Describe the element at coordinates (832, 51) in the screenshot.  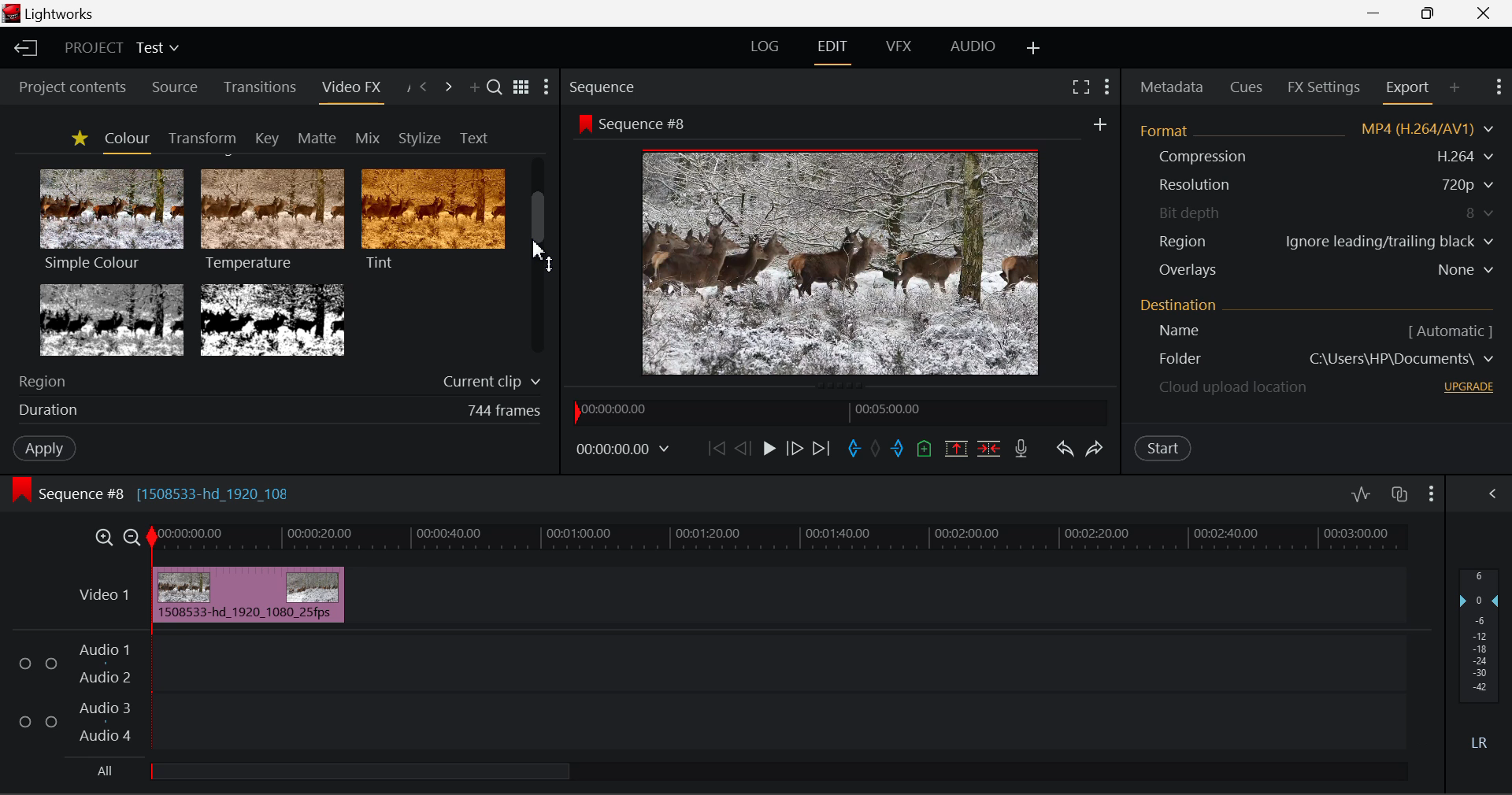
I see `EDIT Layout` at that location.